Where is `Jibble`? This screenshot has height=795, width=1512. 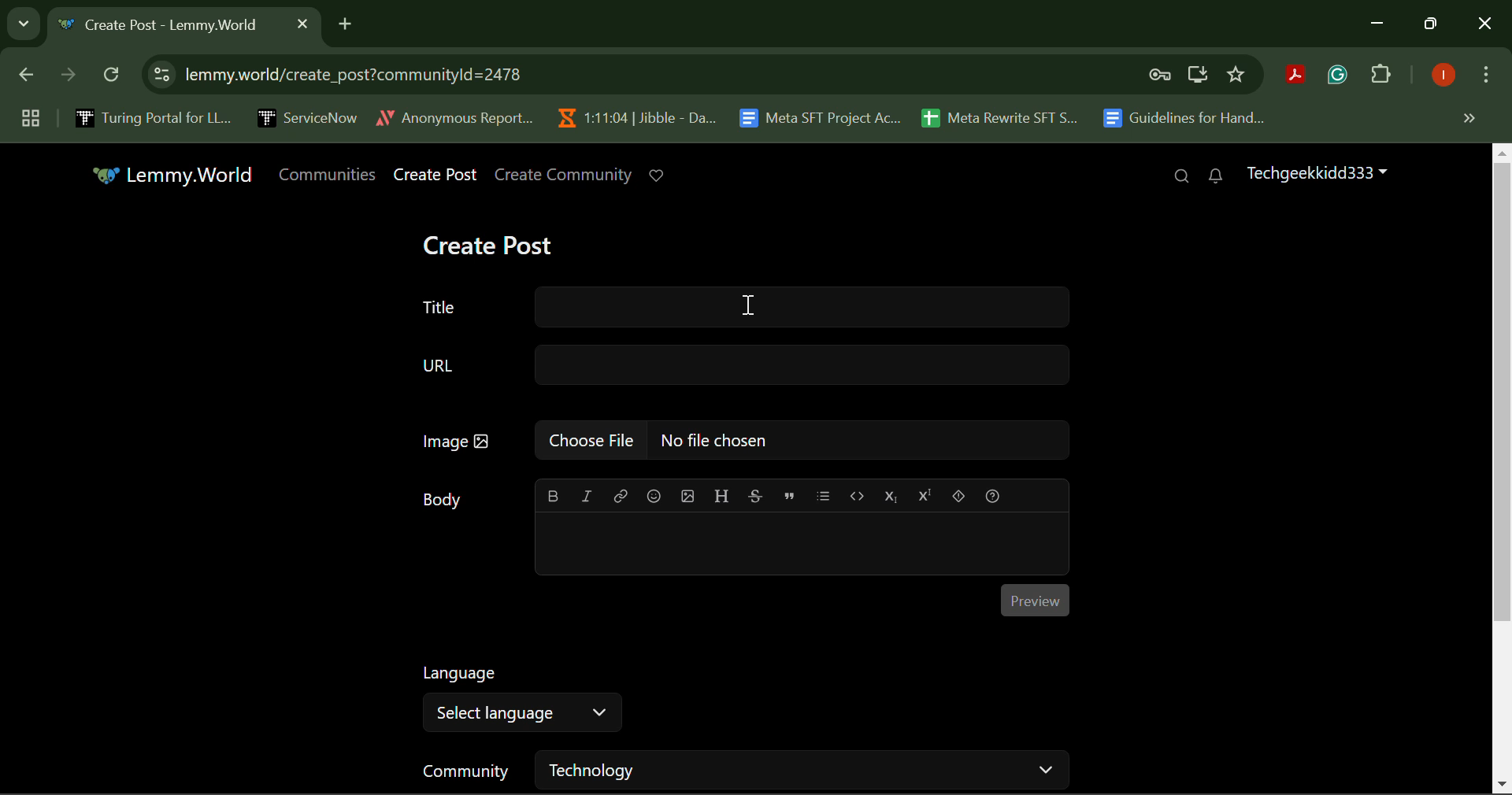 Jibble is located at coordinates (633, 114).